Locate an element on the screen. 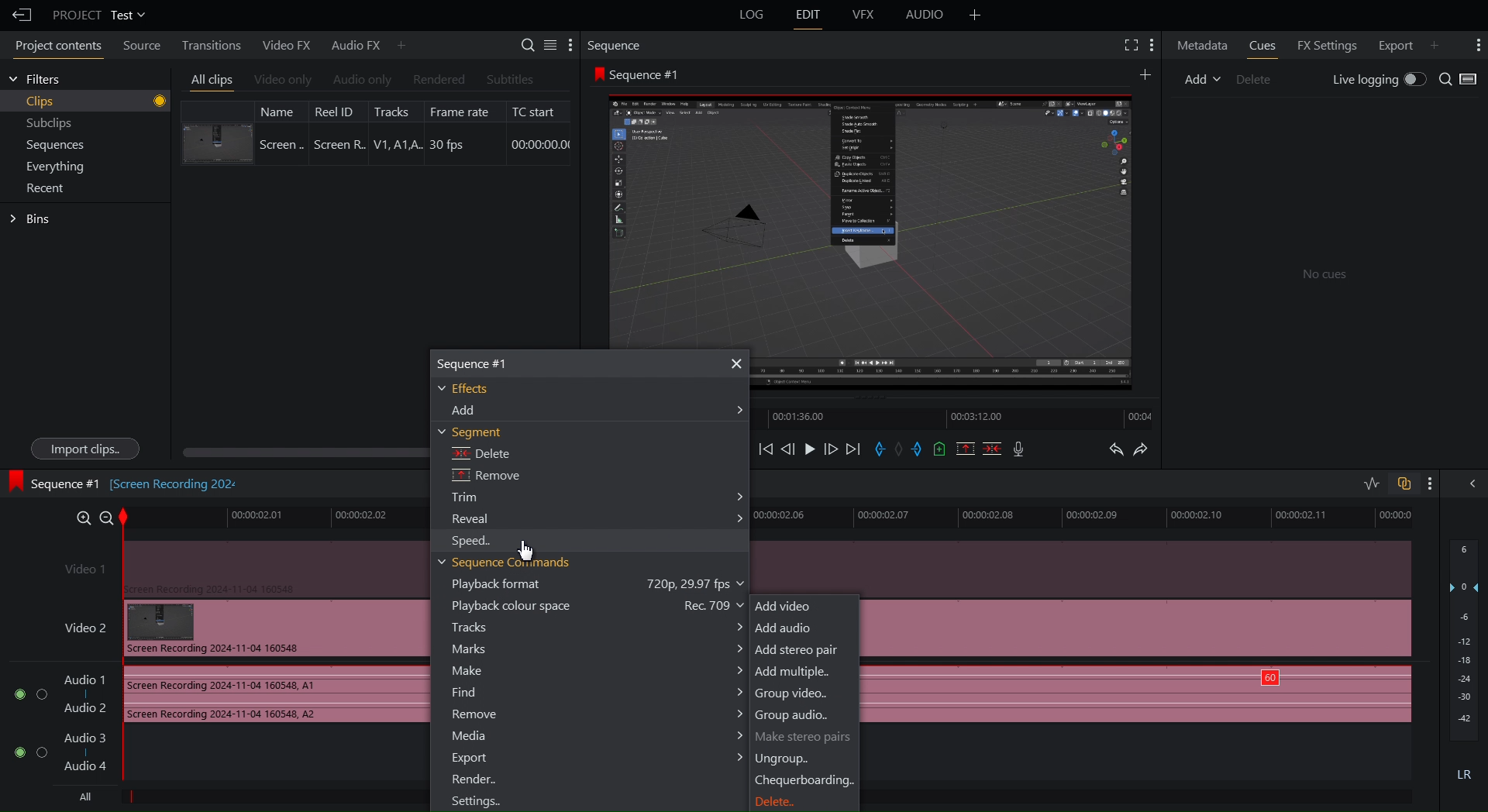  Group audio is located at coordinates (793, 717).